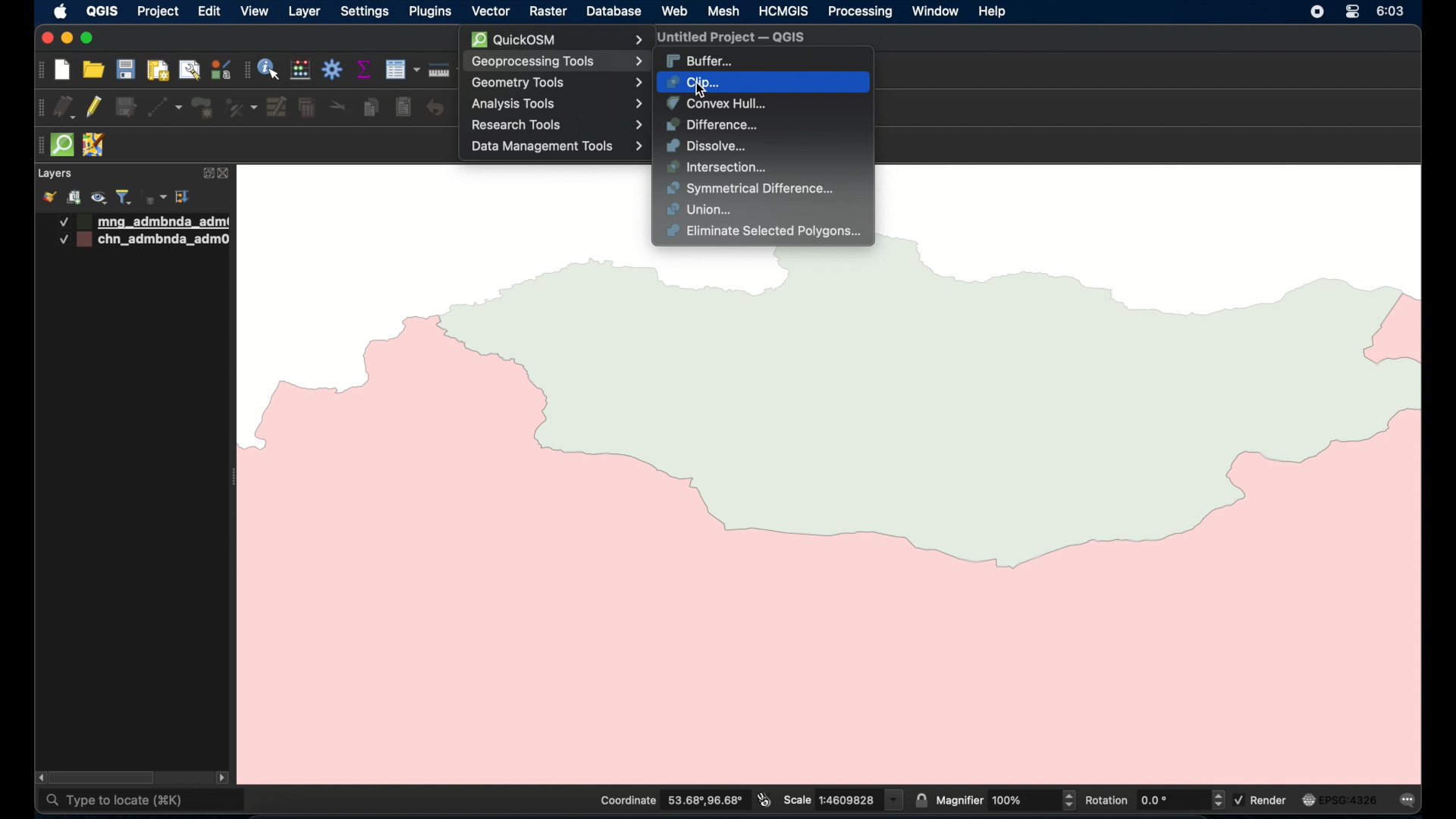  Describe the element at coordinates (694, 82) in the screenshot. I see `clip` at that location.